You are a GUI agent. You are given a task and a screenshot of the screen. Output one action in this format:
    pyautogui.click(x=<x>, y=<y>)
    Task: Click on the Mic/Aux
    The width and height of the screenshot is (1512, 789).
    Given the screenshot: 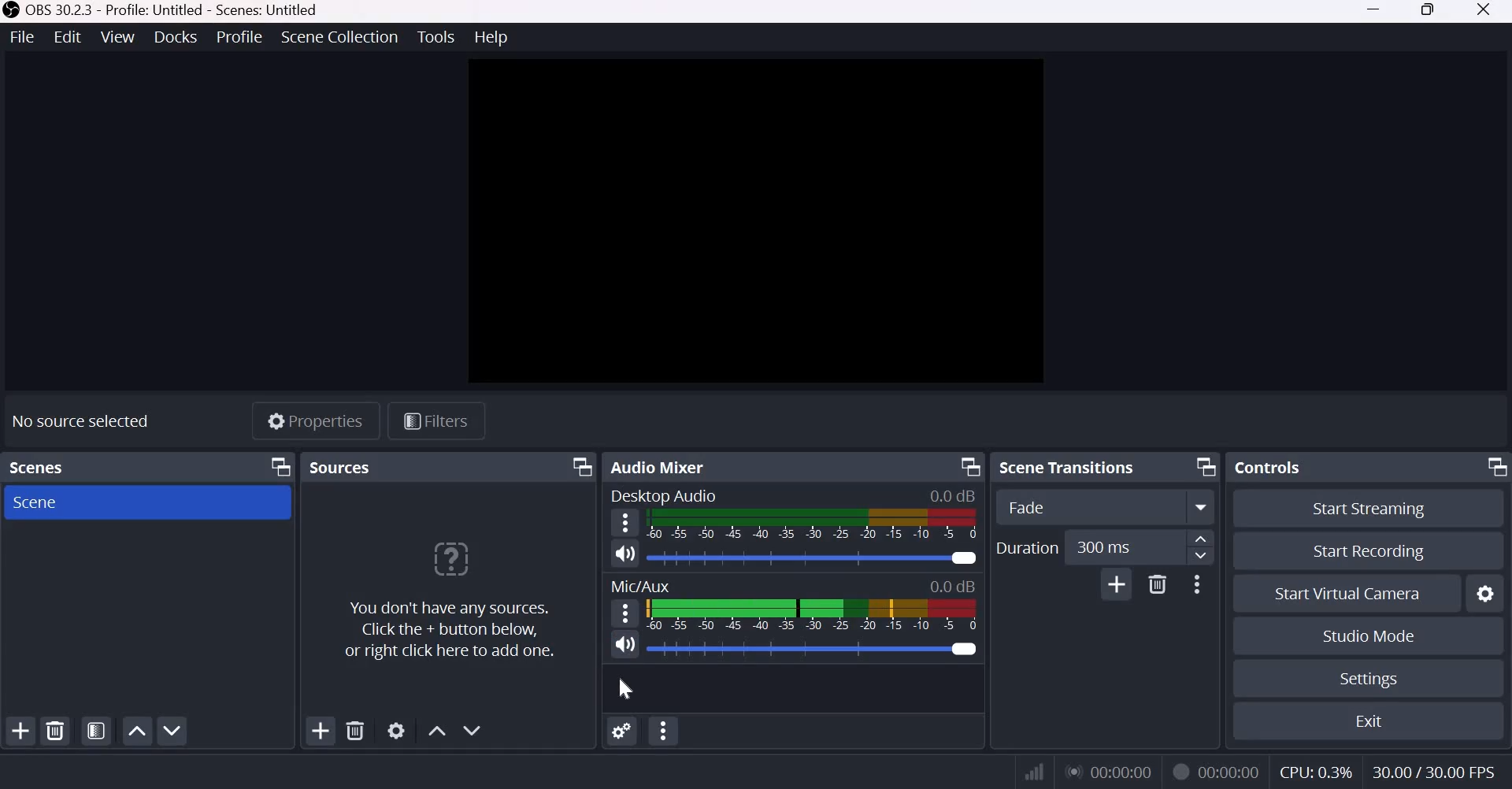 What is the action you would take?
    pyautogui.click(x=639, y=587)
    